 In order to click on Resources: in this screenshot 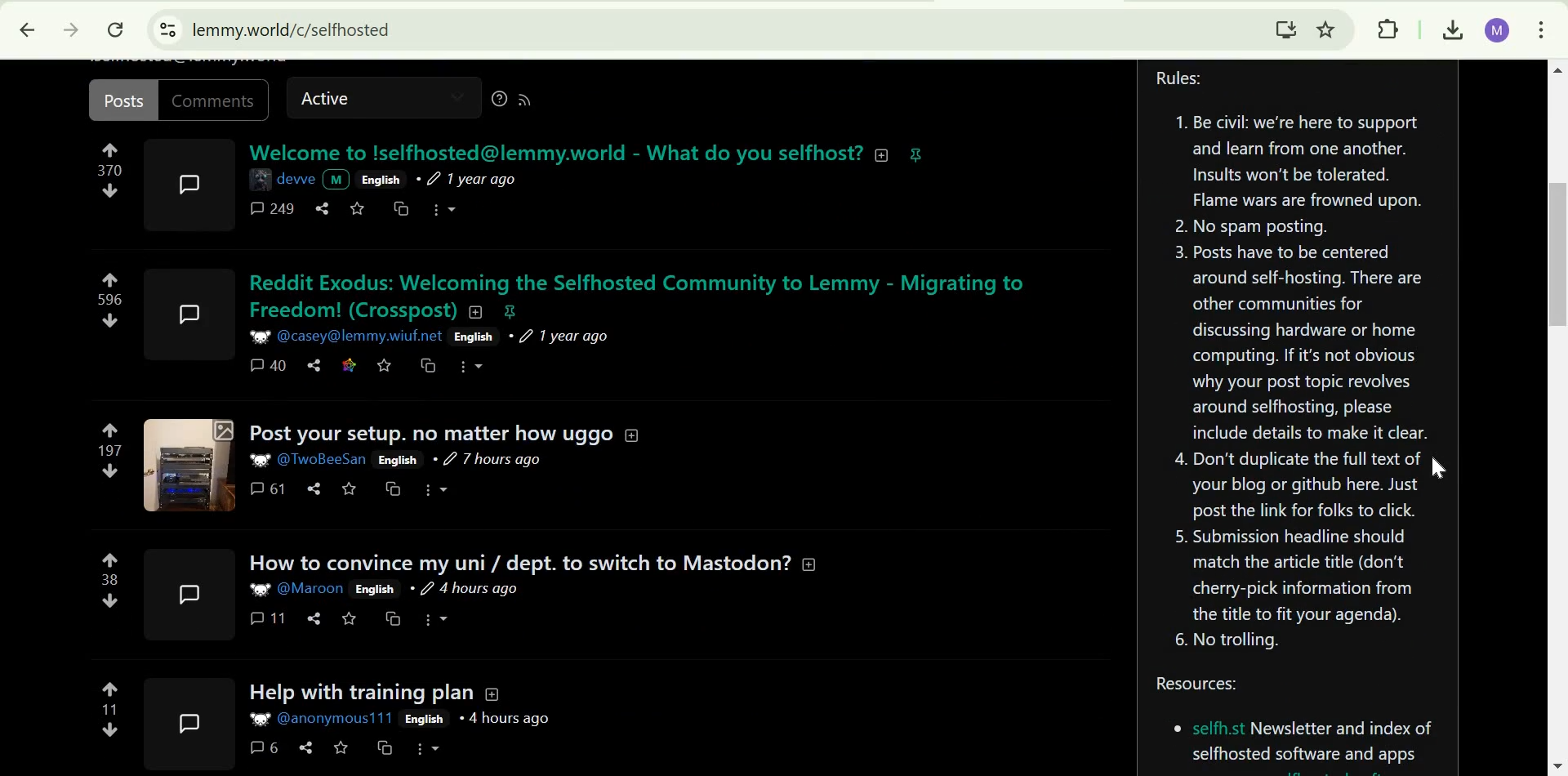, I will do `click(1298, 725)`.